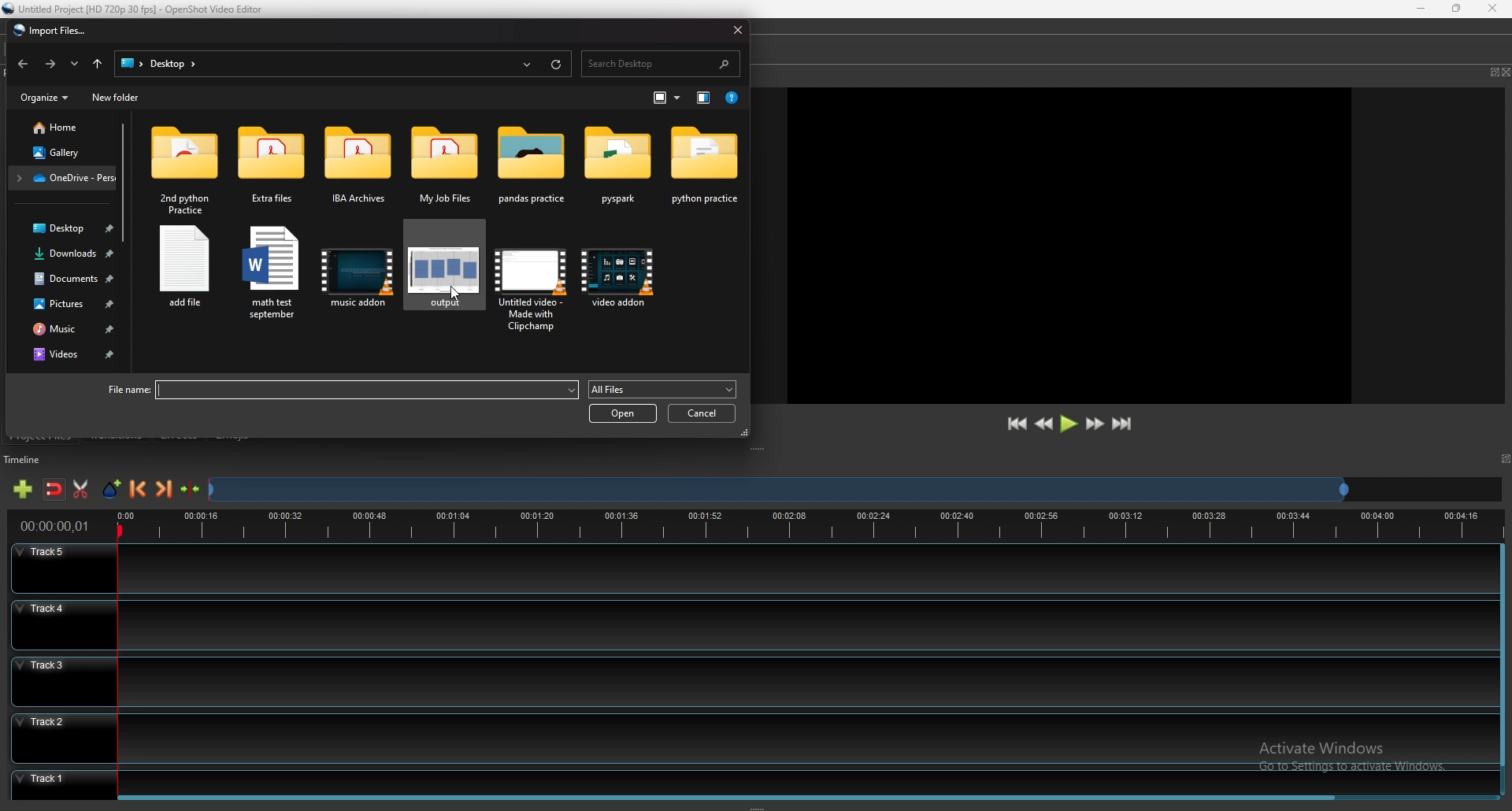  I want to click on refresh, so click(557, 65).